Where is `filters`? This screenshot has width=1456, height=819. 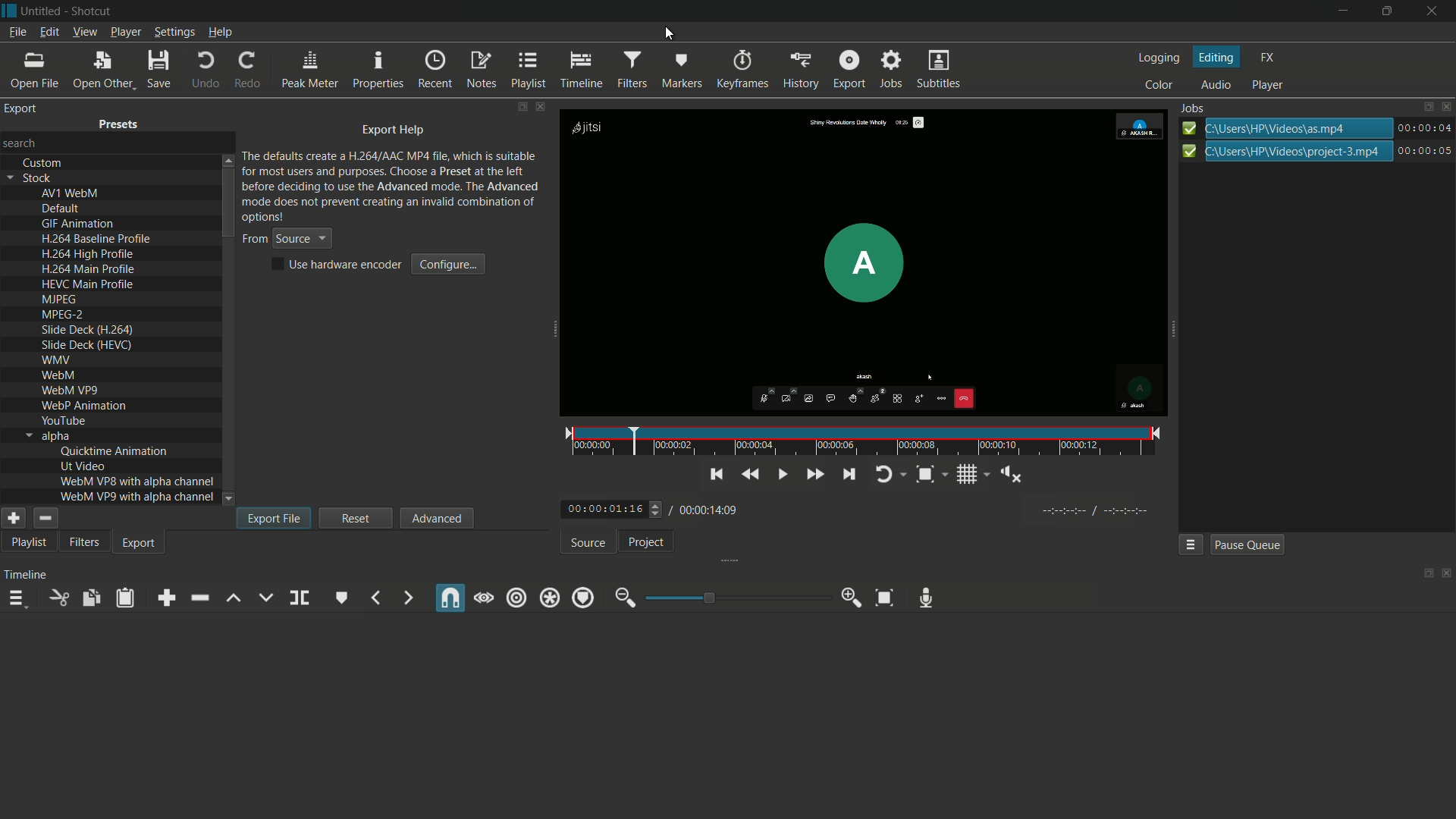
filters is located at coordinates (84, 541).